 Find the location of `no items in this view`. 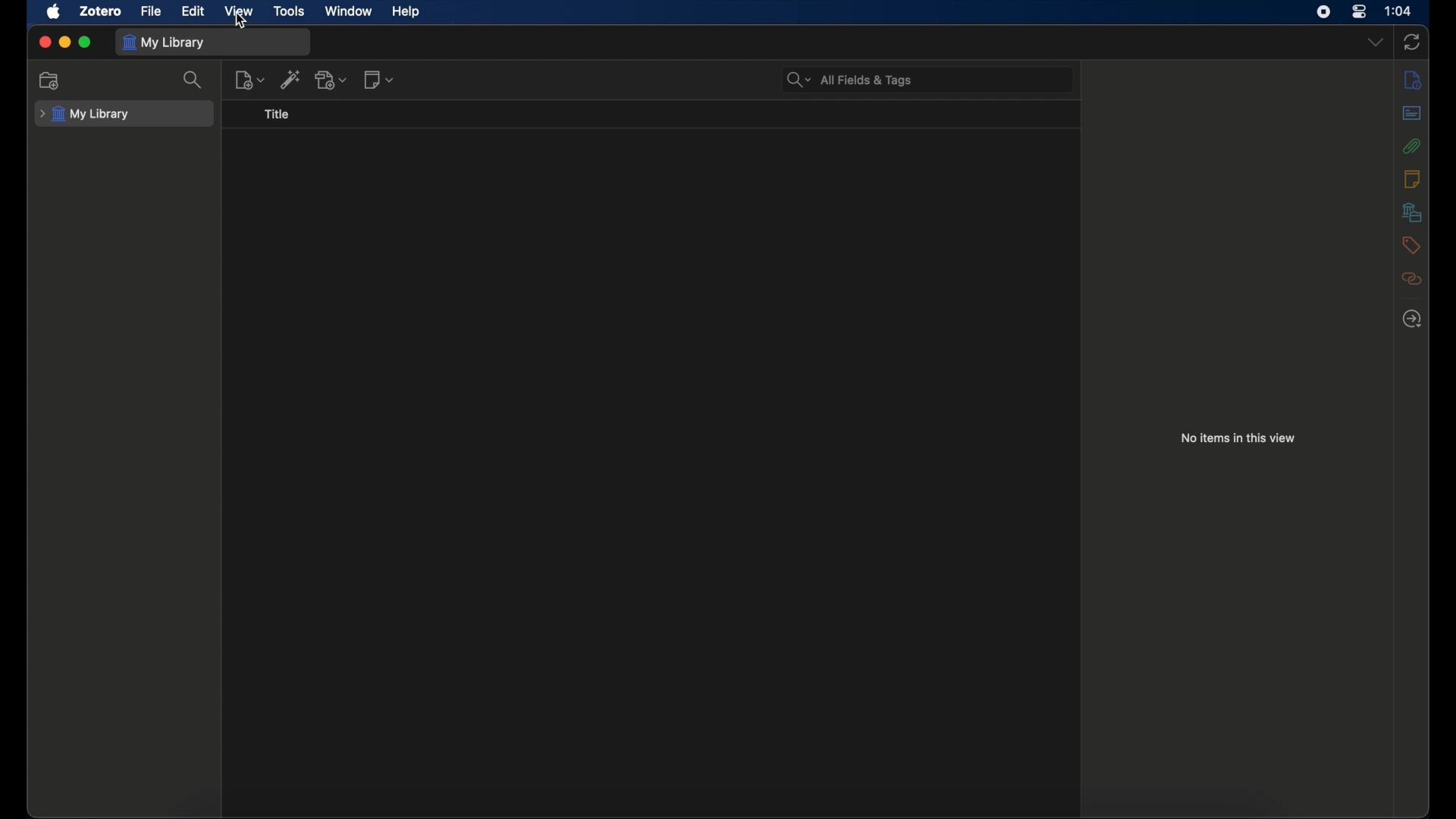

no items in this view is located at coordinates (1238, 437).